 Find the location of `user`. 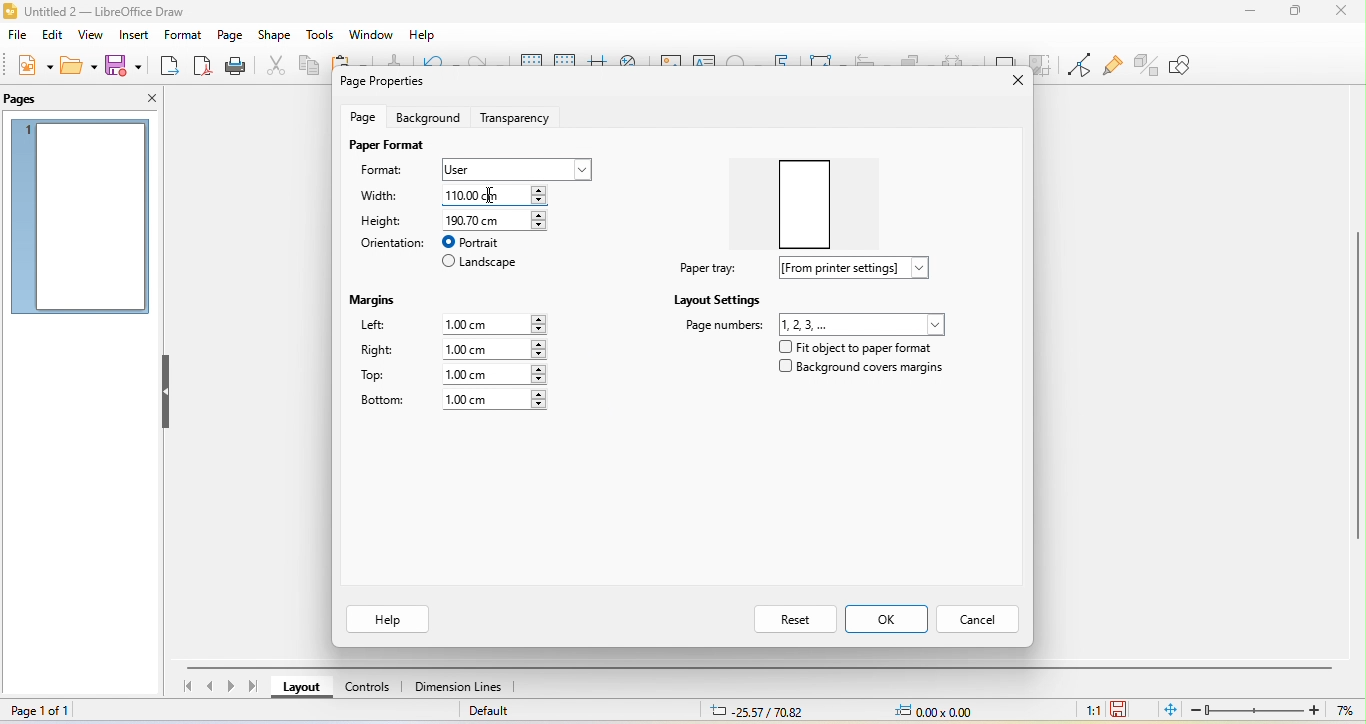

user is located at coordinates (518, 167).